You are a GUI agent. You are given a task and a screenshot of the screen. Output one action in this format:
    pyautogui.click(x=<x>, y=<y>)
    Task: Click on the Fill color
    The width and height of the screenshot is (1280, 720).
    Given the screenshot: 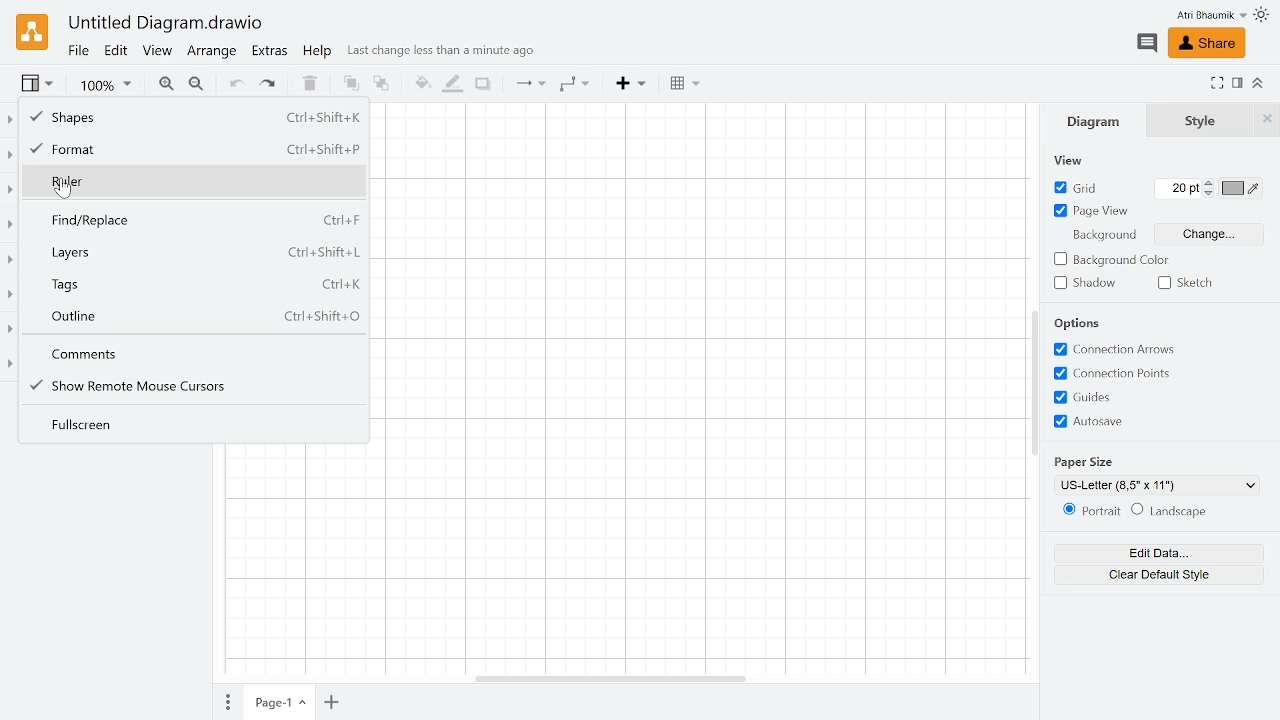 What is the action you would take?
    pyautogui.click(x=422, y=83)
    